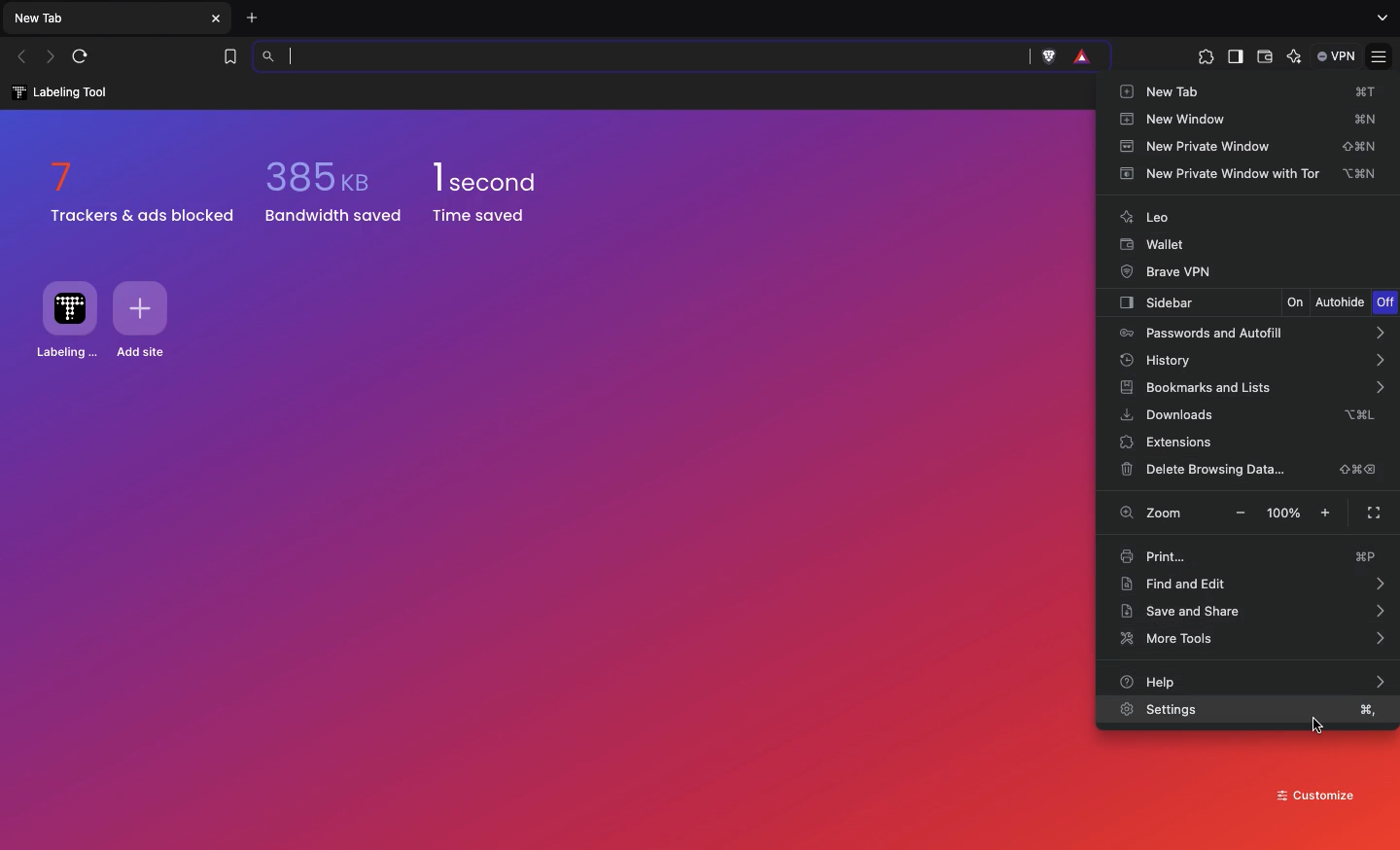 This screenshot has height=850, width=1400. What do you see at coordinates (49, 57) in the screenshot?
I see `Next page` at bounding box center [49, 57].